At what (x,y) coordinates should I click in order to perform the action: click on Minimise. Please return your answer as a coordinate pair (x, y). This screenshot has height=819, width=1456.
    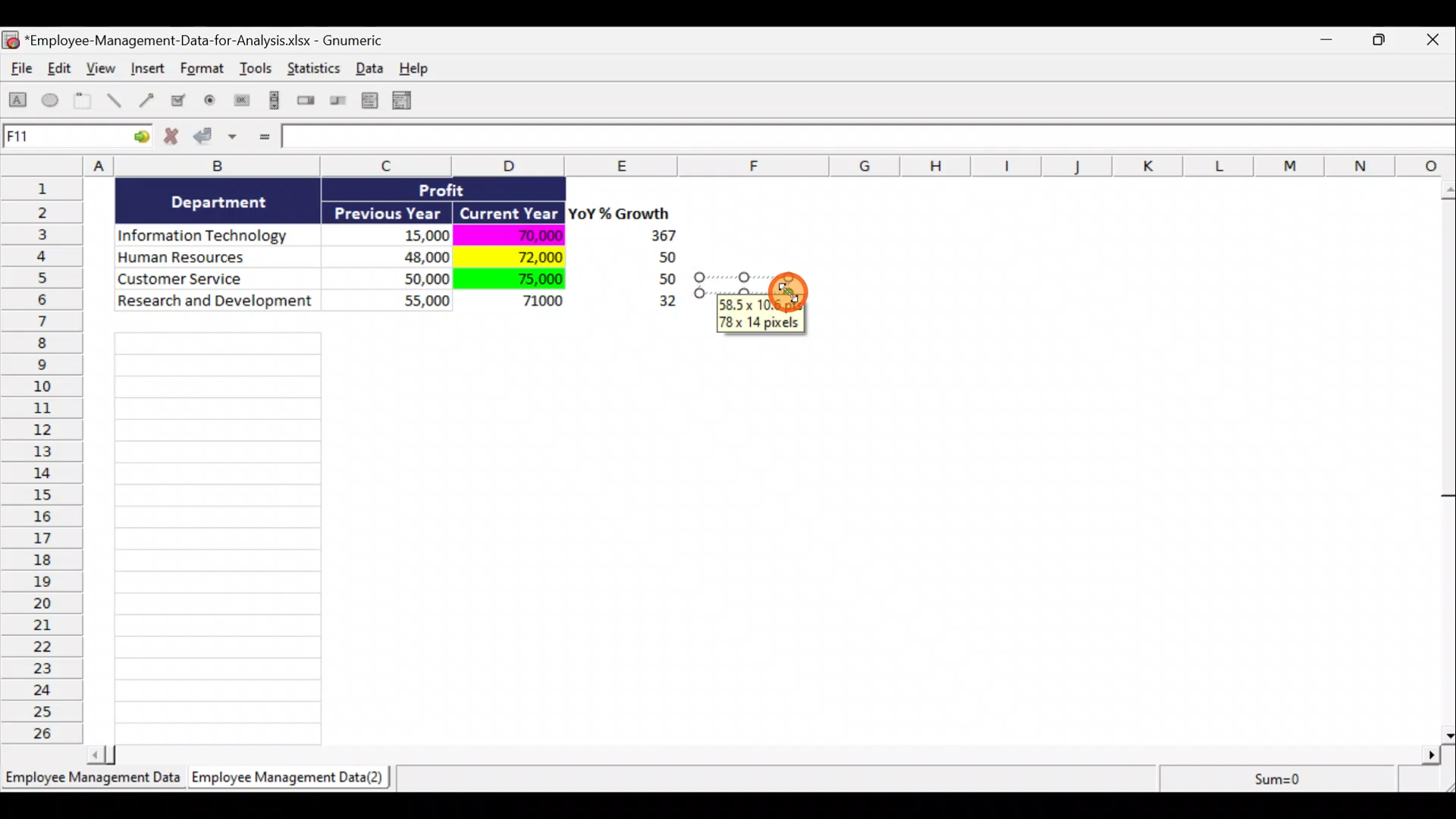
    Looking at the image, I should click on (1330, 42).